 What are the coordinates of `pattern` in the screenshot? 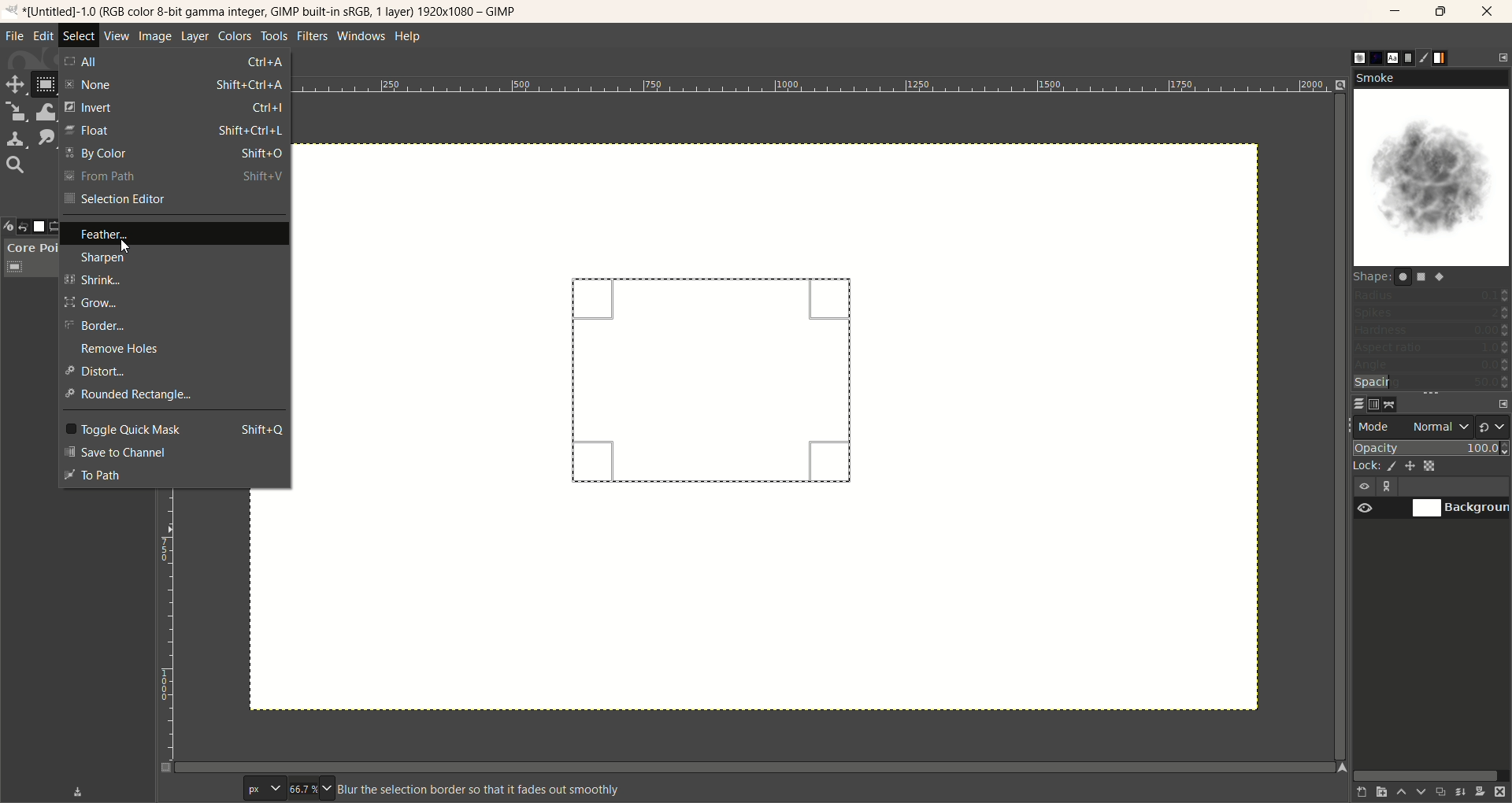 It's located at (1373, 57).